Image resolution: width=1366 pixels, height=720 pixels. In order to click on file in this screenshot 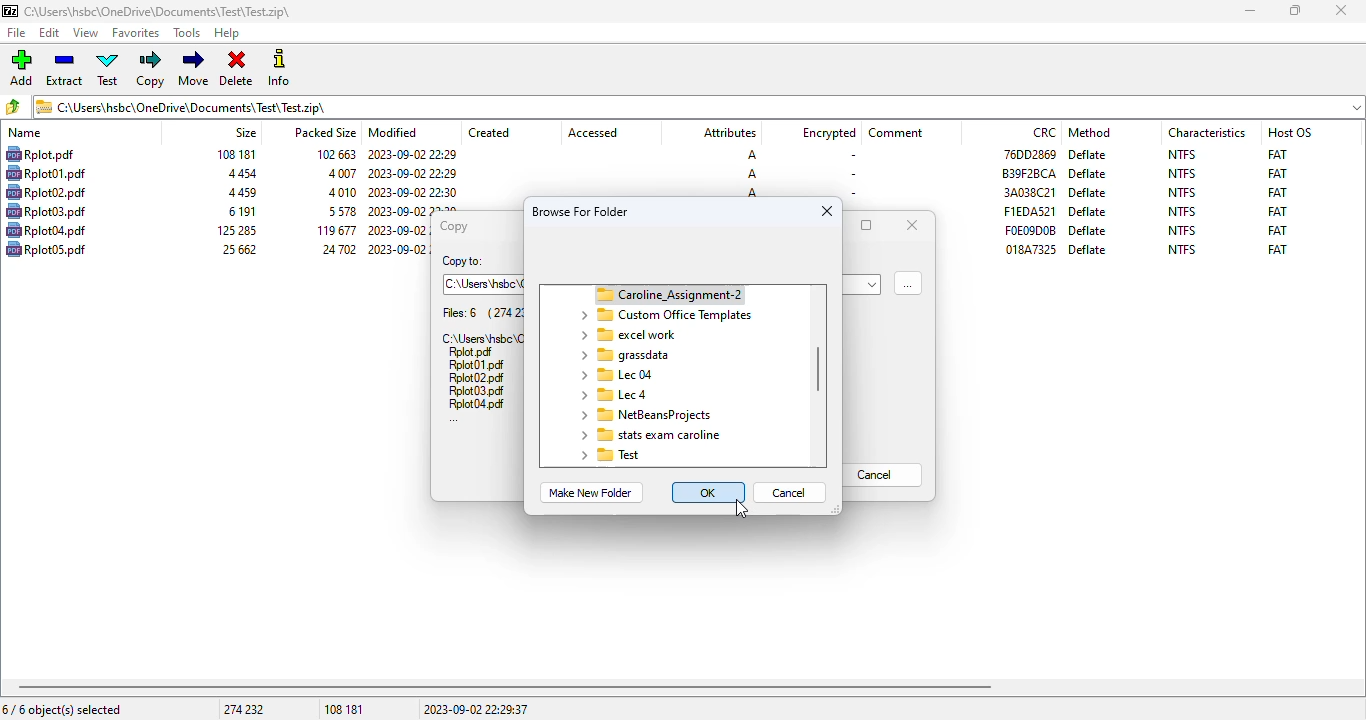, I will do `click(46, 211)`.